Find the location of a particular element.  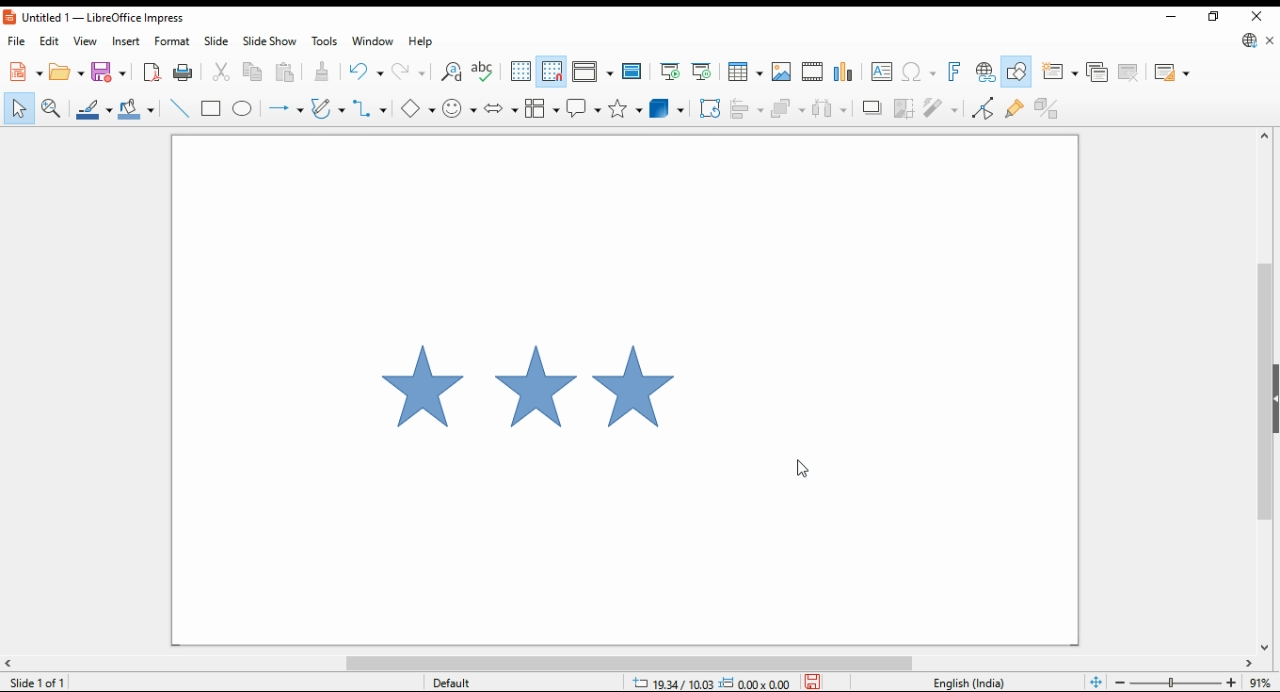

restore is located at coordinates (1215, 17).